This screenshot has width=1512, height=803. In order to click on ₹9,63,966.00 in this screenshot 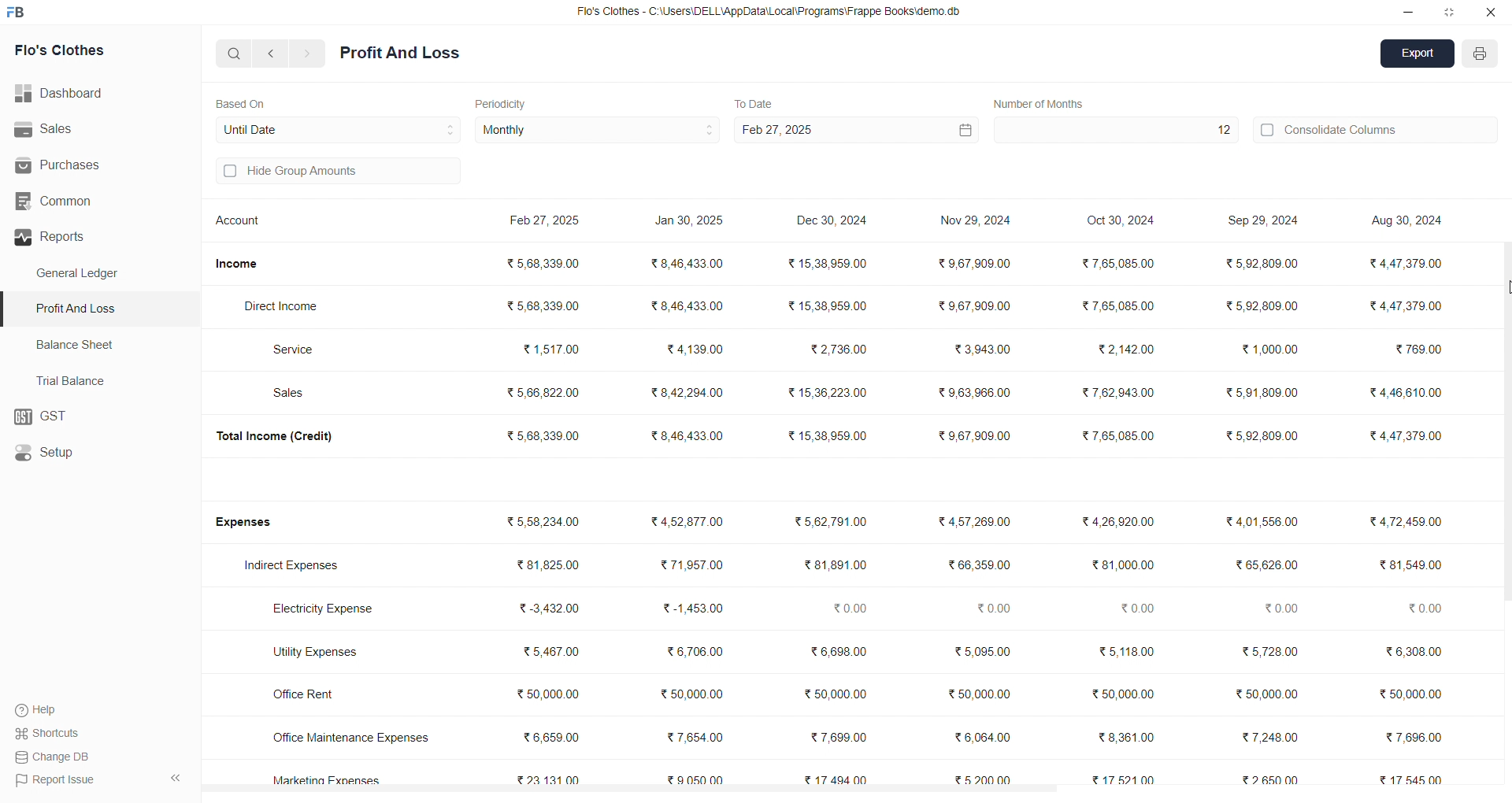, I will do `click(976, 392)`.